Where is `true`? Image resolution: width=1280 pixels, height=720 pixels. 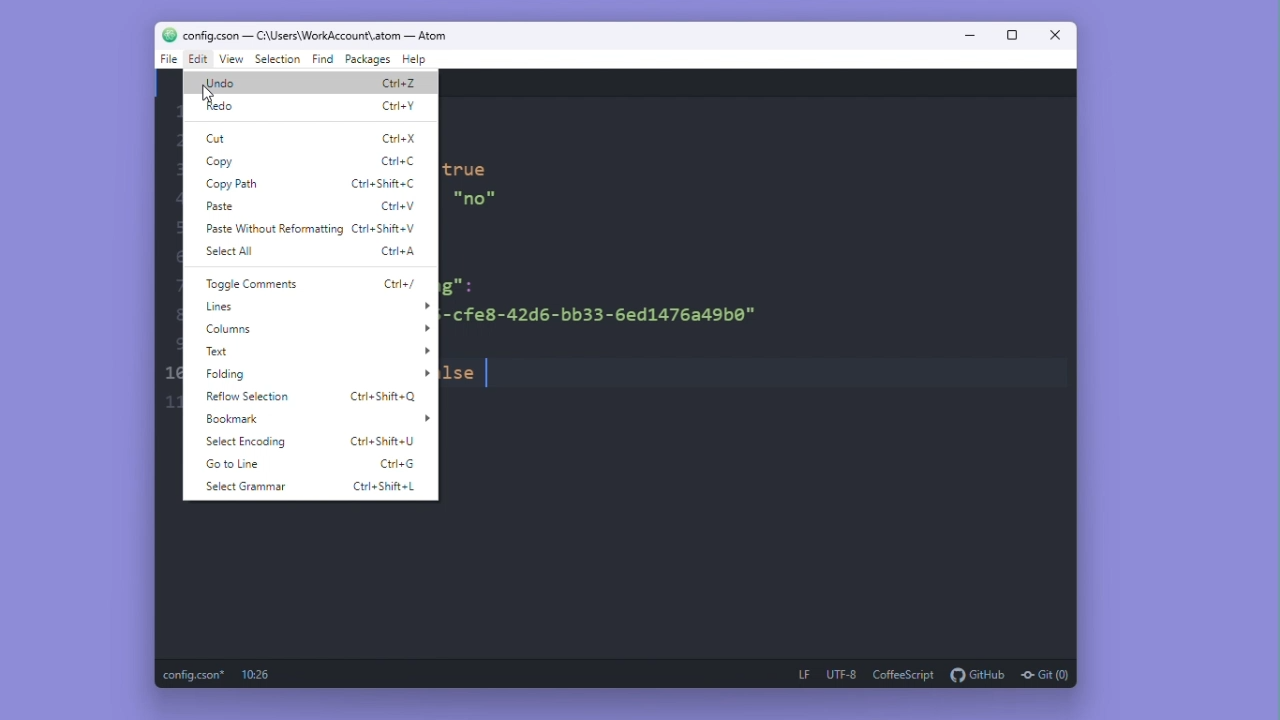 true is located at coordinates (468, 170).